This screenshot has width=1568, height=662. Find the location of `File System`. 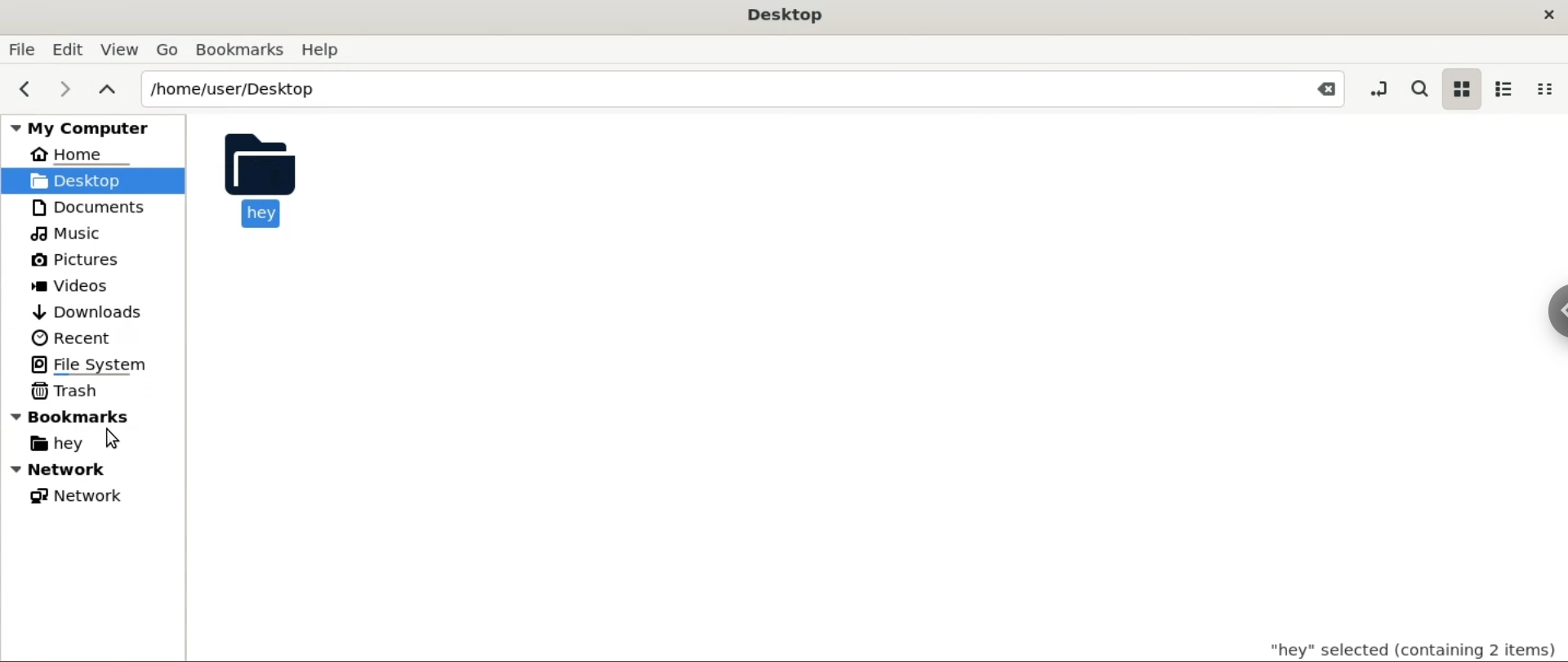

File System is located at coordinates (94, 363).